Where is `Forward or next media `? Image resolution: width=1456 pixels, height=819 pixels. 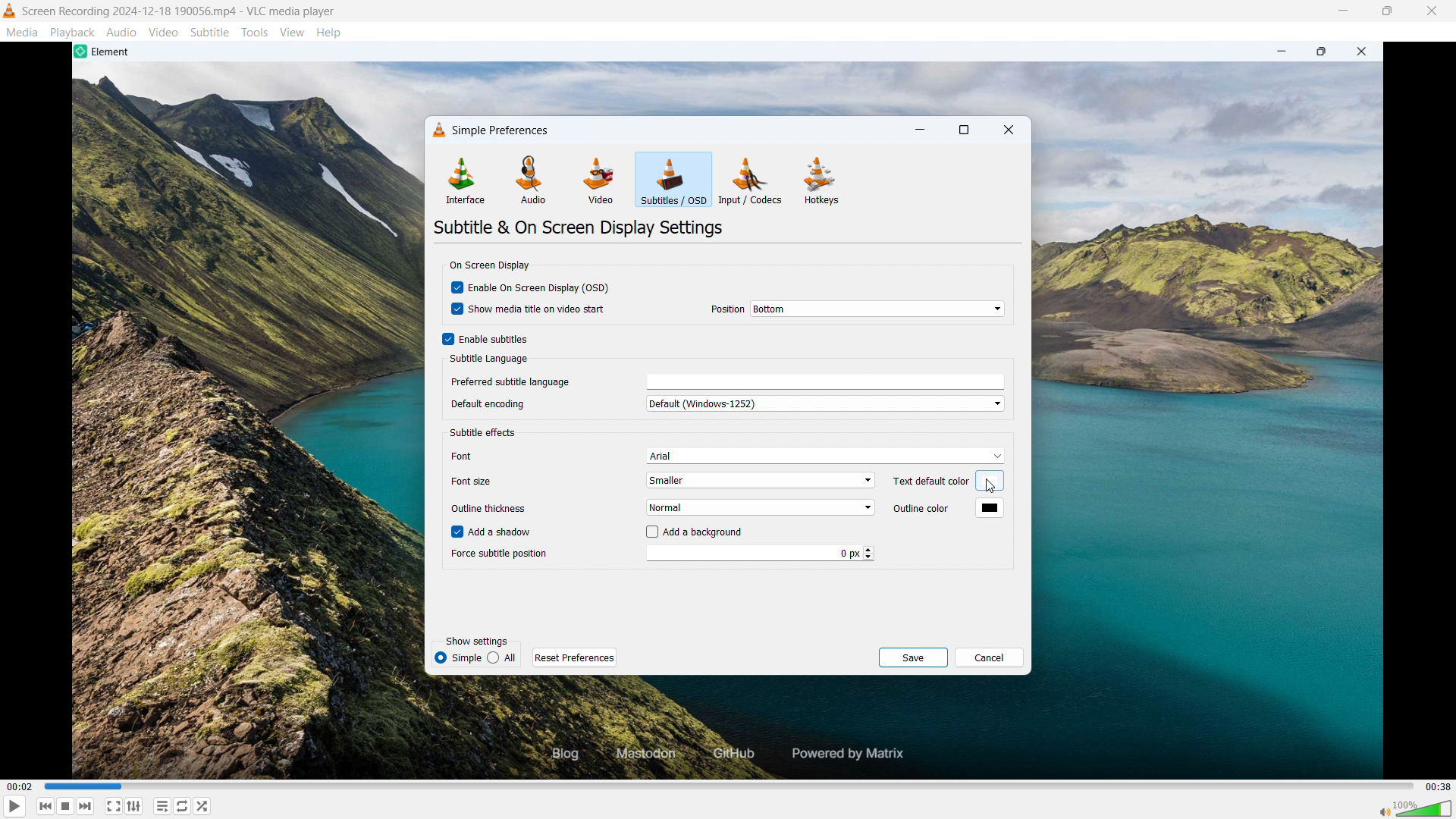 Forward or next media  is located at coordinates (66, 806).